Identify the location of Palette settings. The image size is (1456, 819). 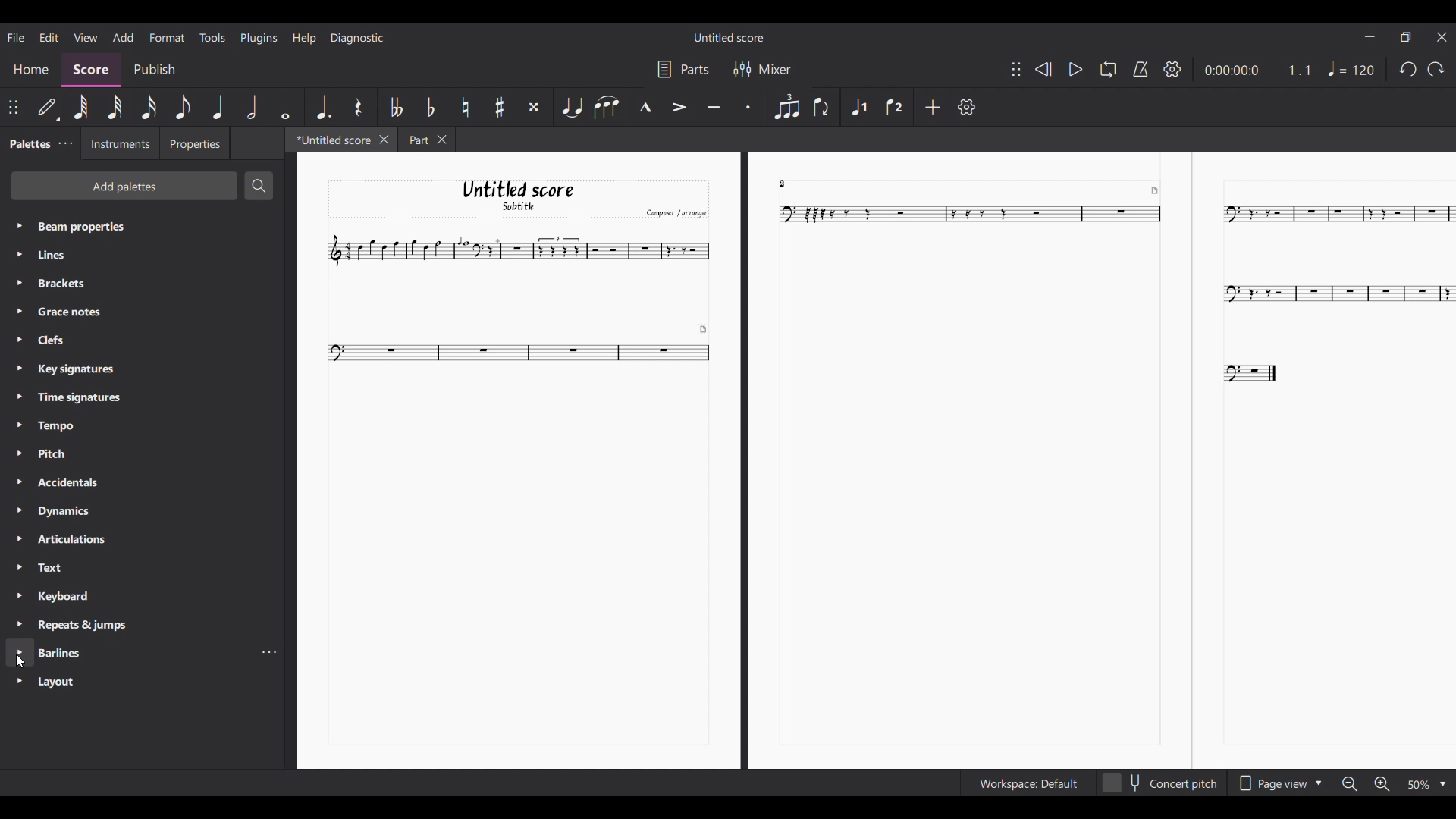
(84, 254).